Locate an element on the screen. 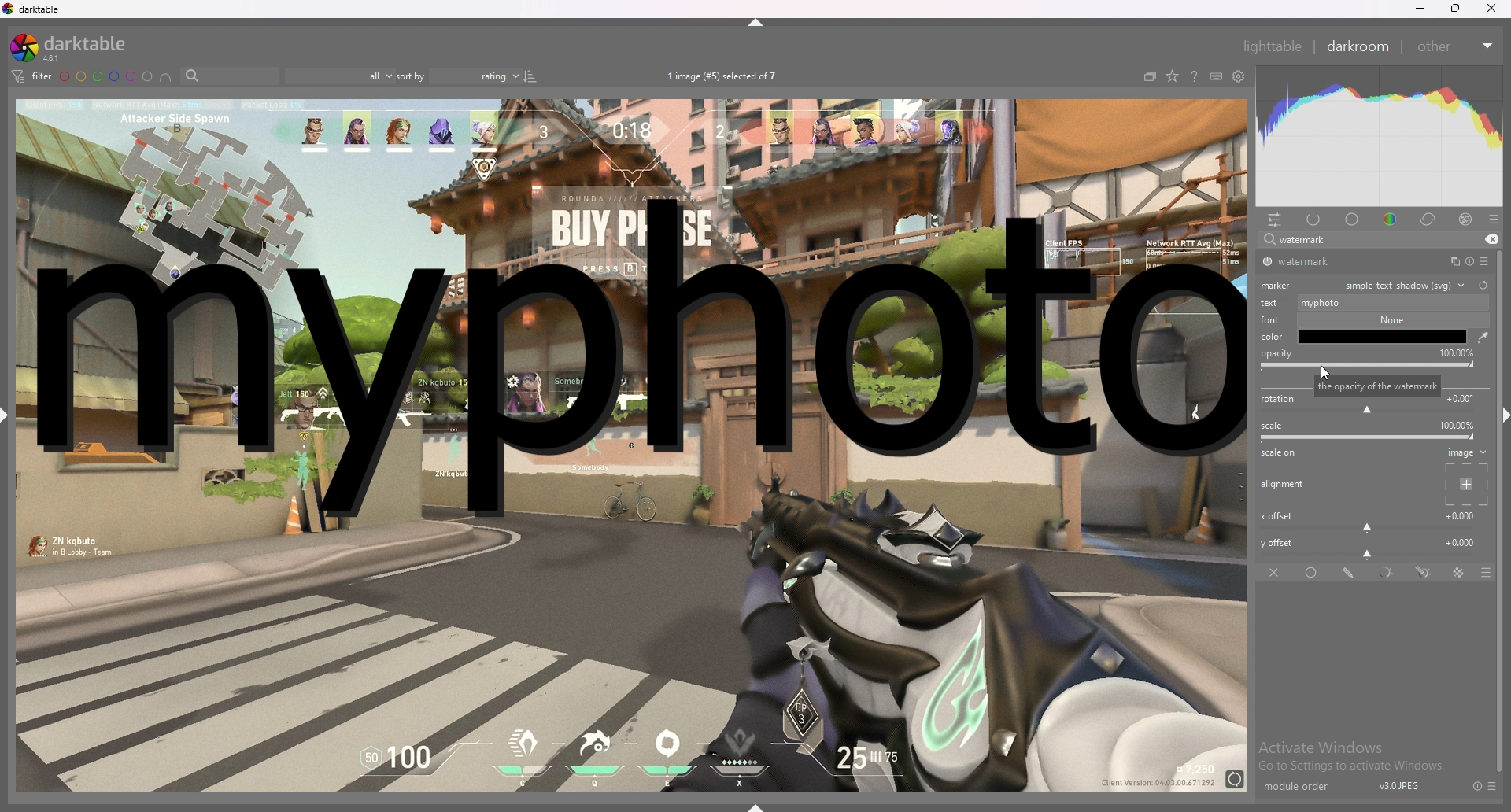 Image resolution: width=1511 pixels, height=812 pixels. off is located at coordinates (1276, 572).